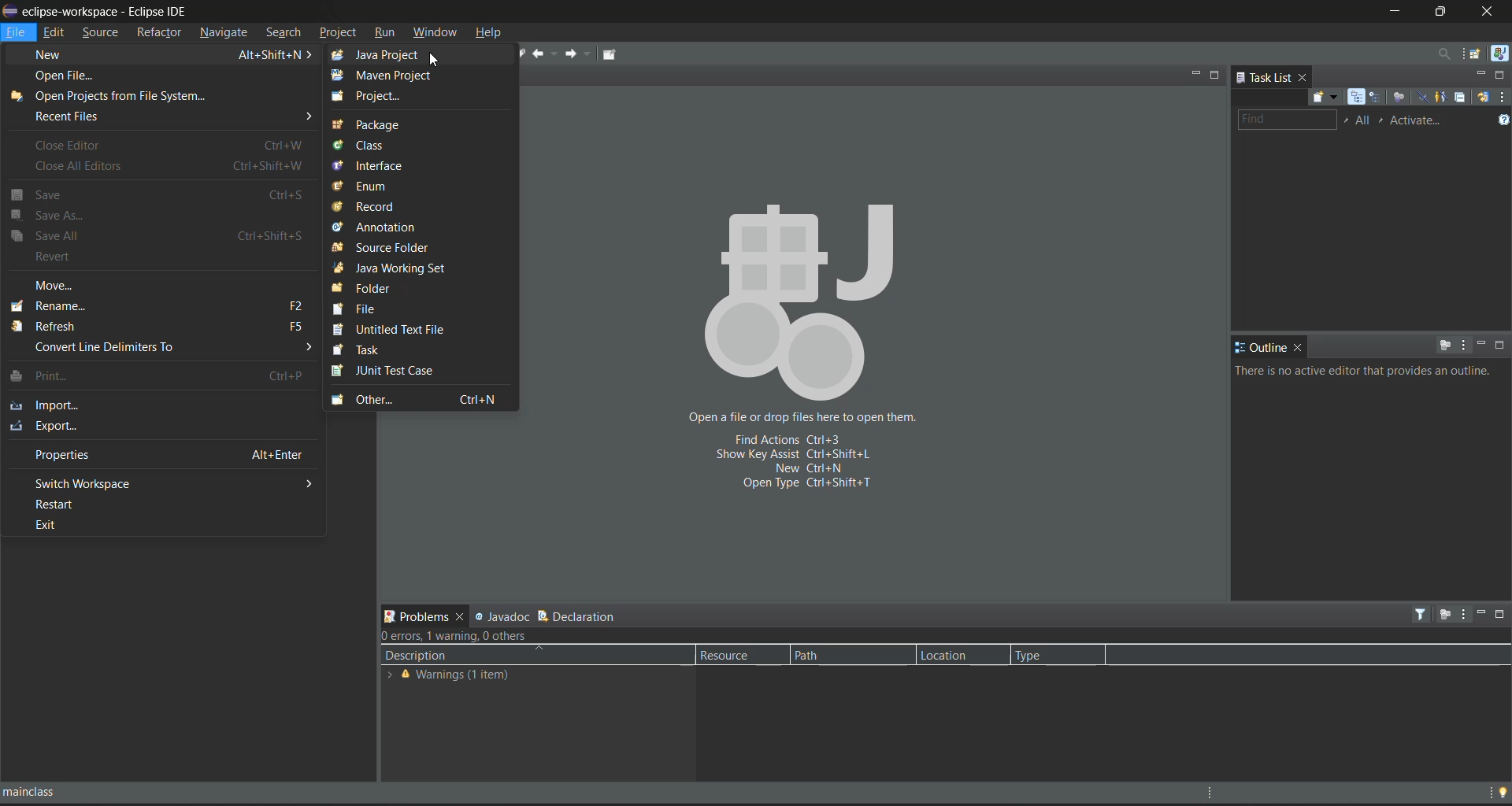 The width and height of the screenshot is (1512, 806). Describe the element at coordinates (711, 657) in the screenshot. I see `Resource` at that location.